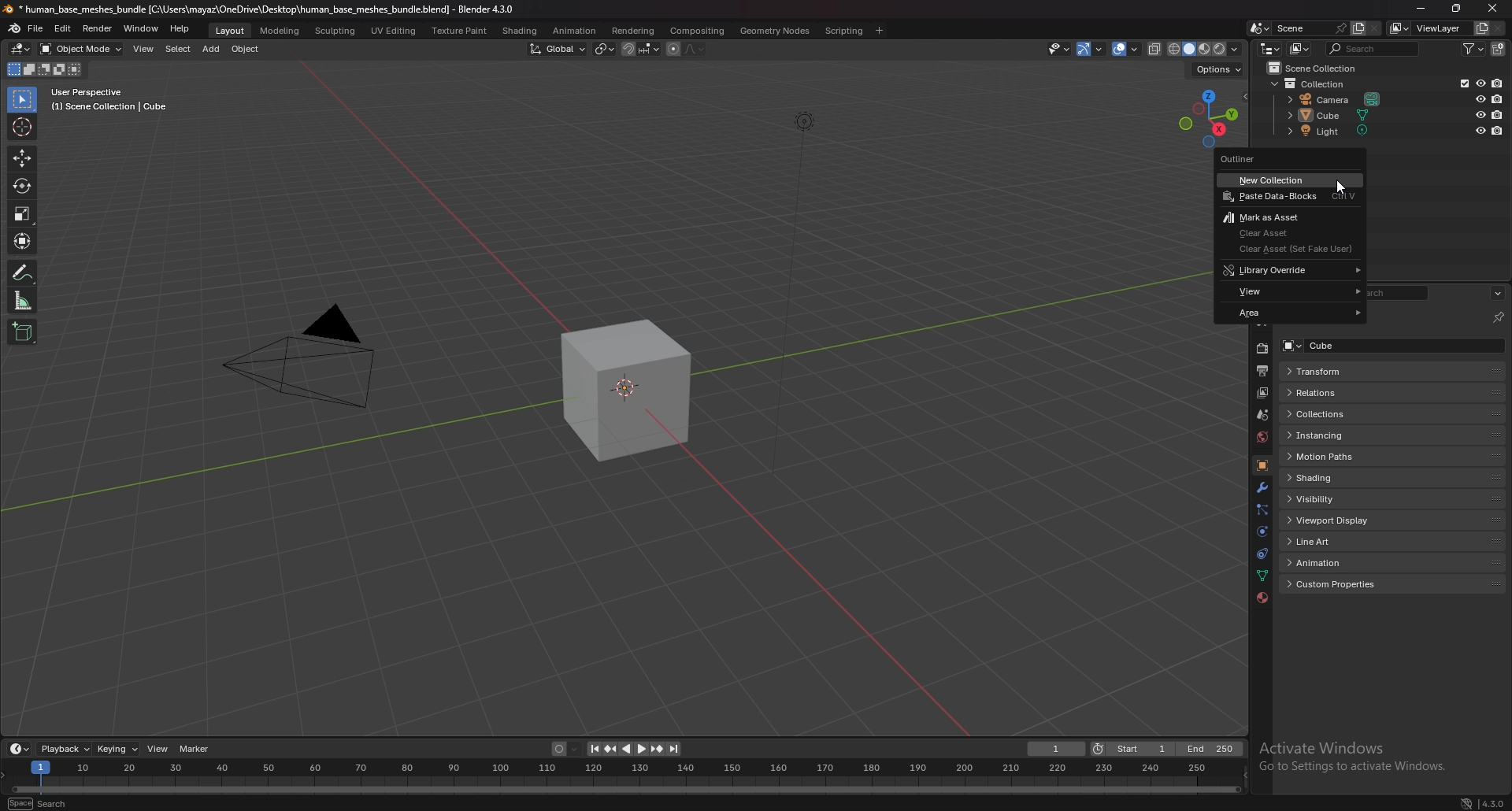 The width and height of the screenshot is (1512, 811). What do you see at coordinates (22, 301) in the screenshot?
I see `measure` at bounding box center [22, 301].